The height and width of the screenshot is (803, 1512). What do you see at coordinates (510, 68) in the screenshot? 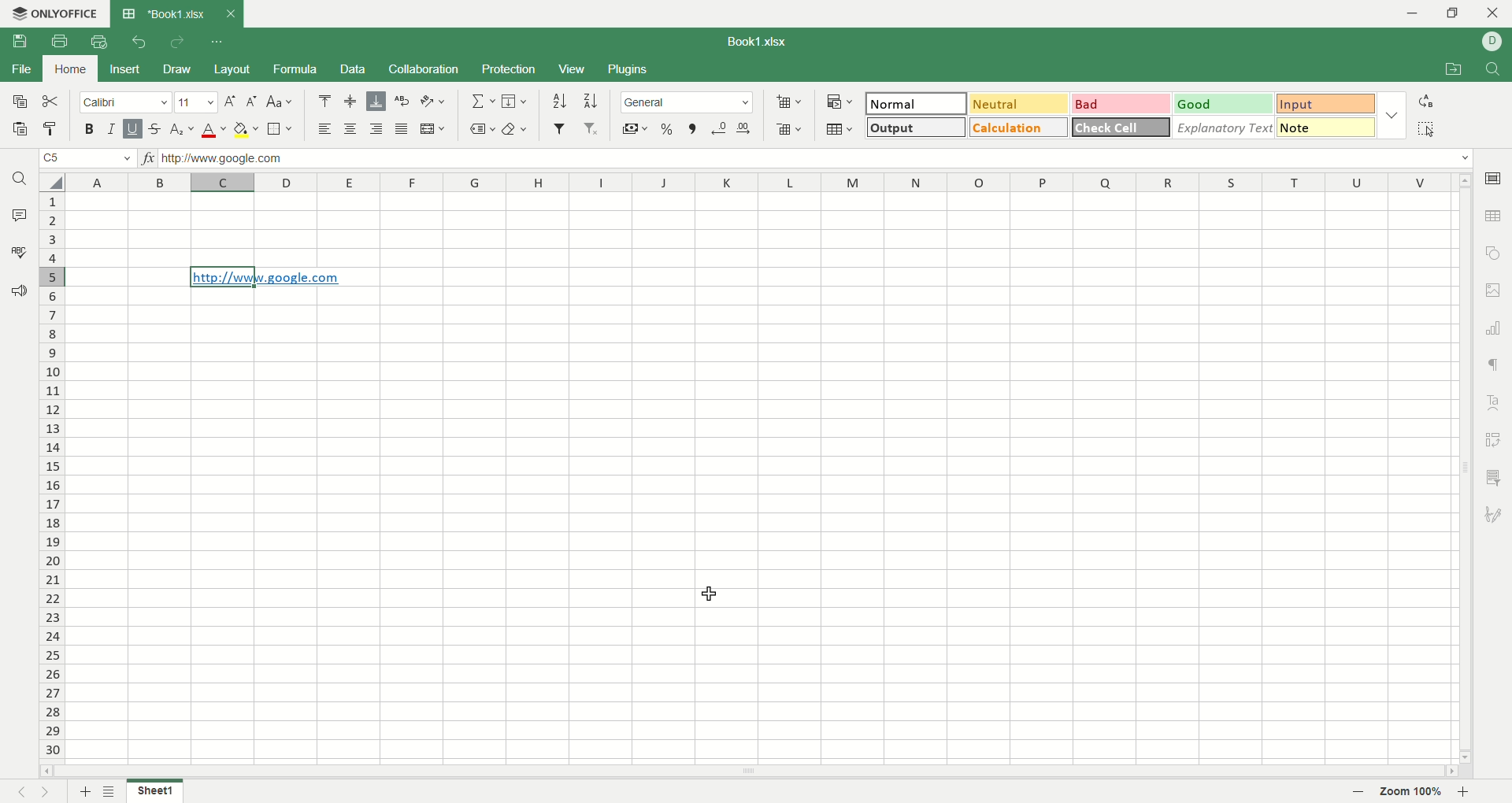
I see `protection` at bounding box center [510, 68].